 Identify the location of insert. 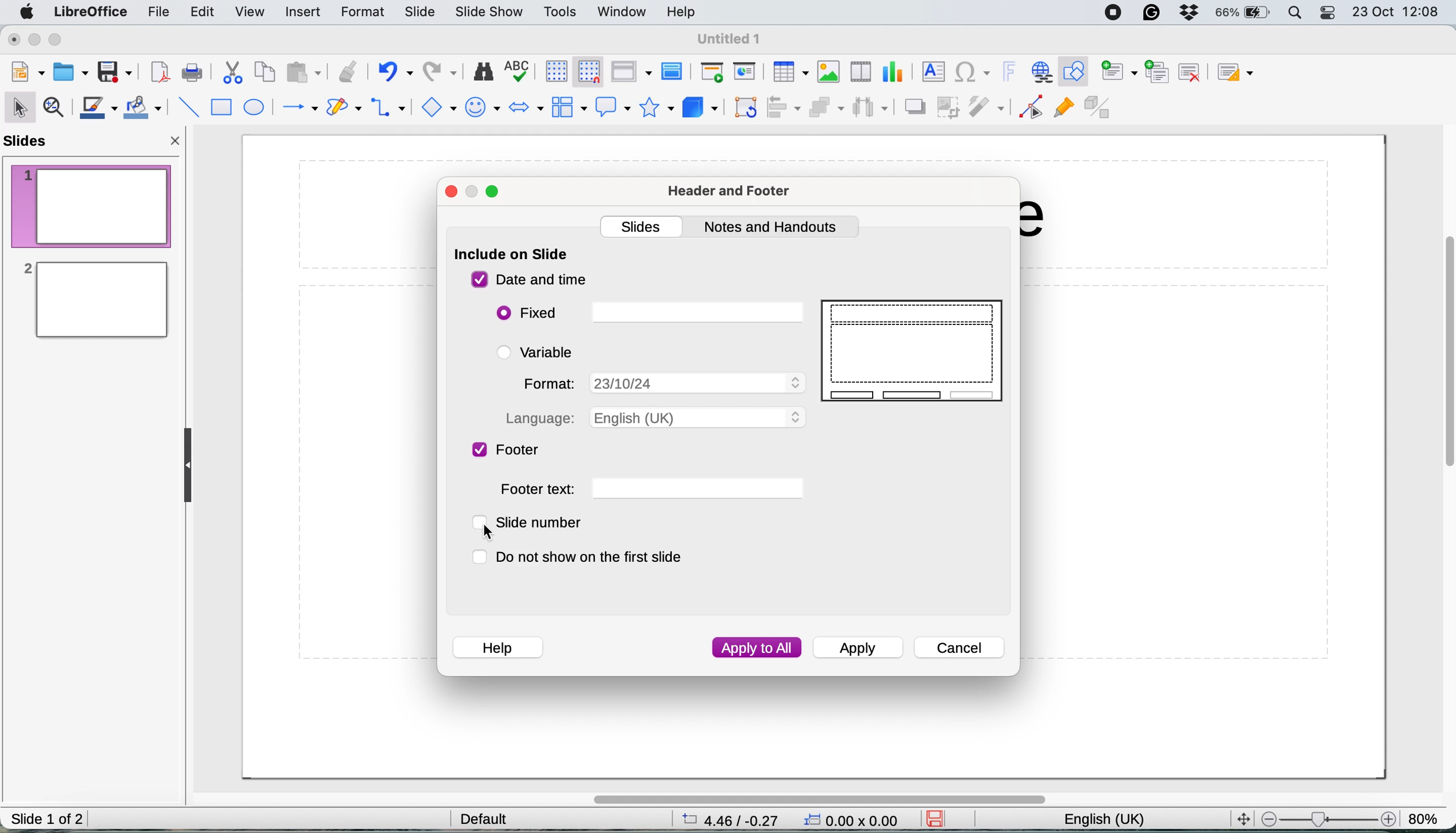
(301, 11).